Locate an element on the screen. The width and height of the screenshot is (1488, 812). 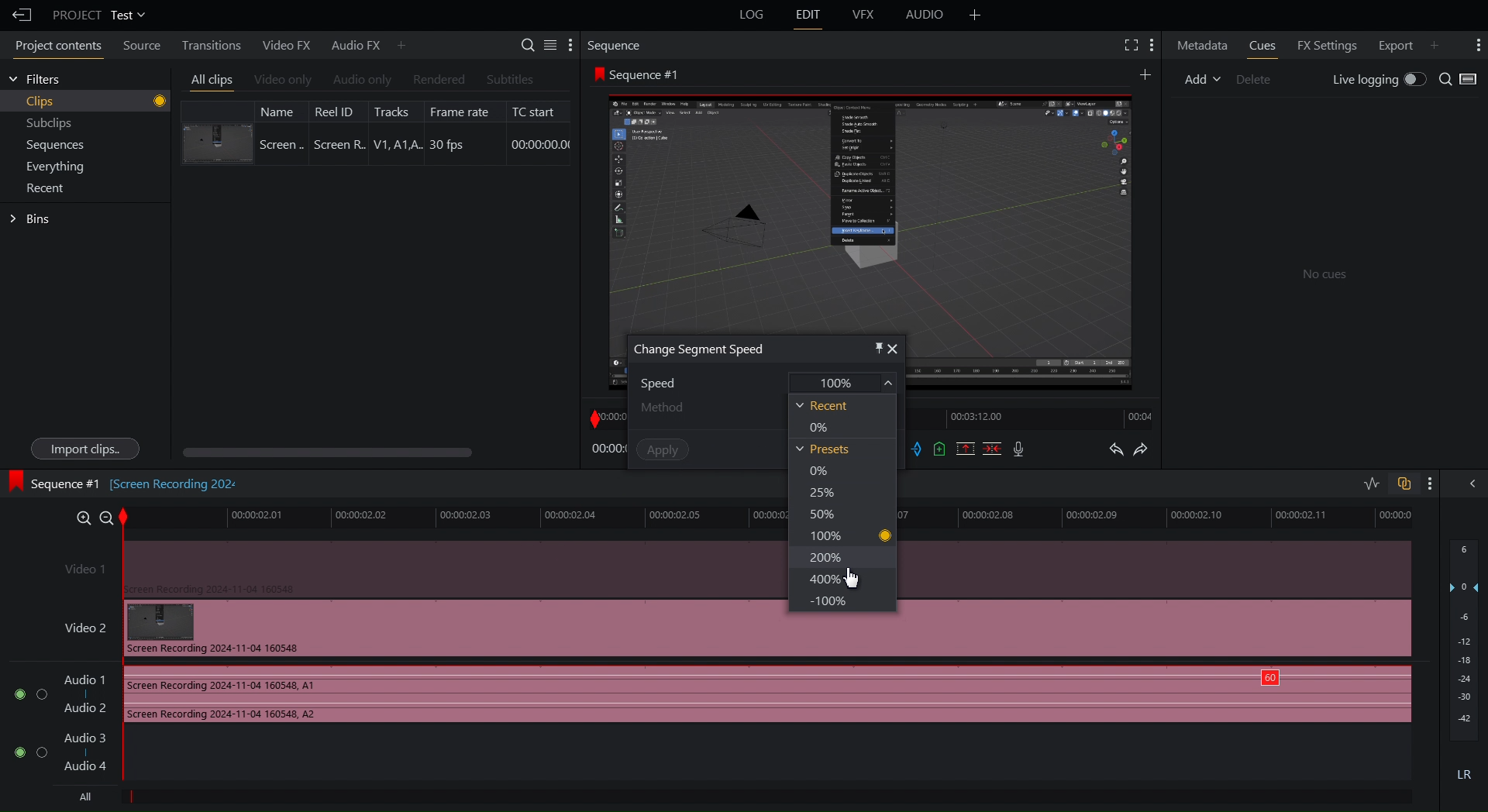
200% is located at coordinates (824, 557).